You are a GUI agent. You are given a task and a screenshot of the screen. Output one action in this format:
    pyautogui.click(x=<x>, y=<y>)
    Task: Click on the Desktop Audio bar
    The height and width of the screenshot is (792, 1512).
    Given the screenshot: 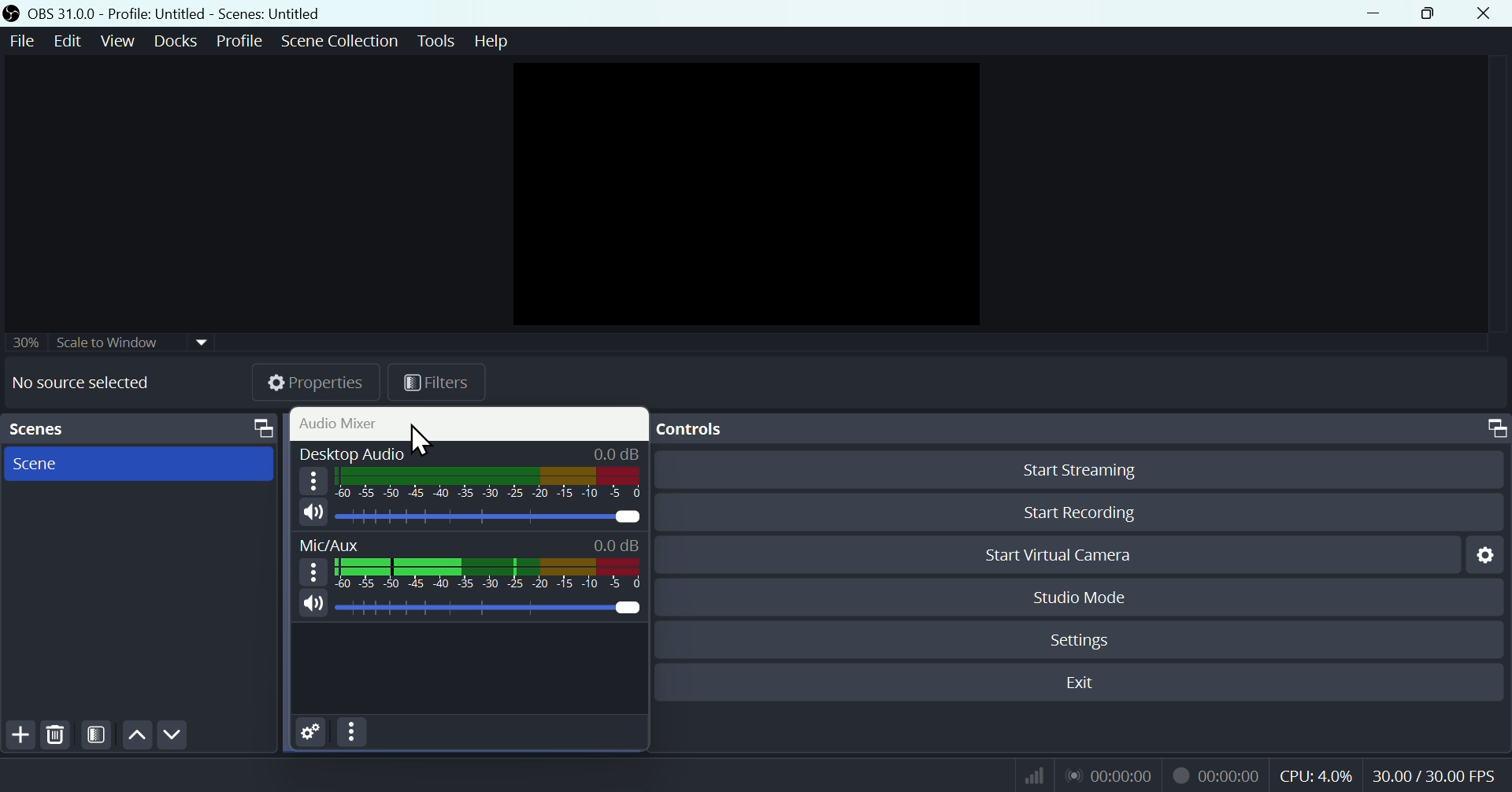 What is the action you would take?
    pyautogui.click(x=487, y=481)
    